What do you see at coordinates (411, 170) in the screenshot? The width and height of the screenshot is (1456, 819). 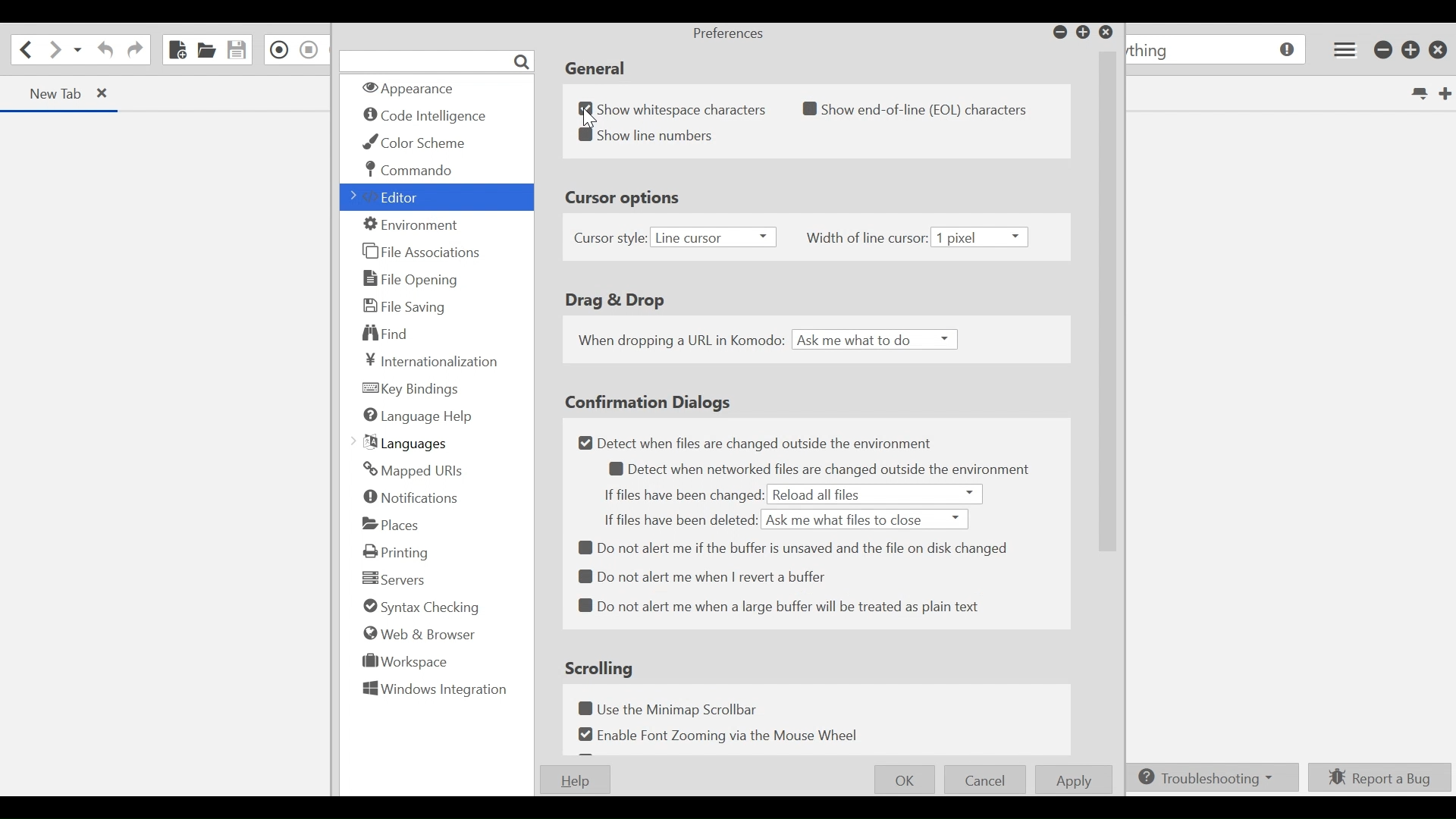 I see `Commando` at bounding box center [411, 170].